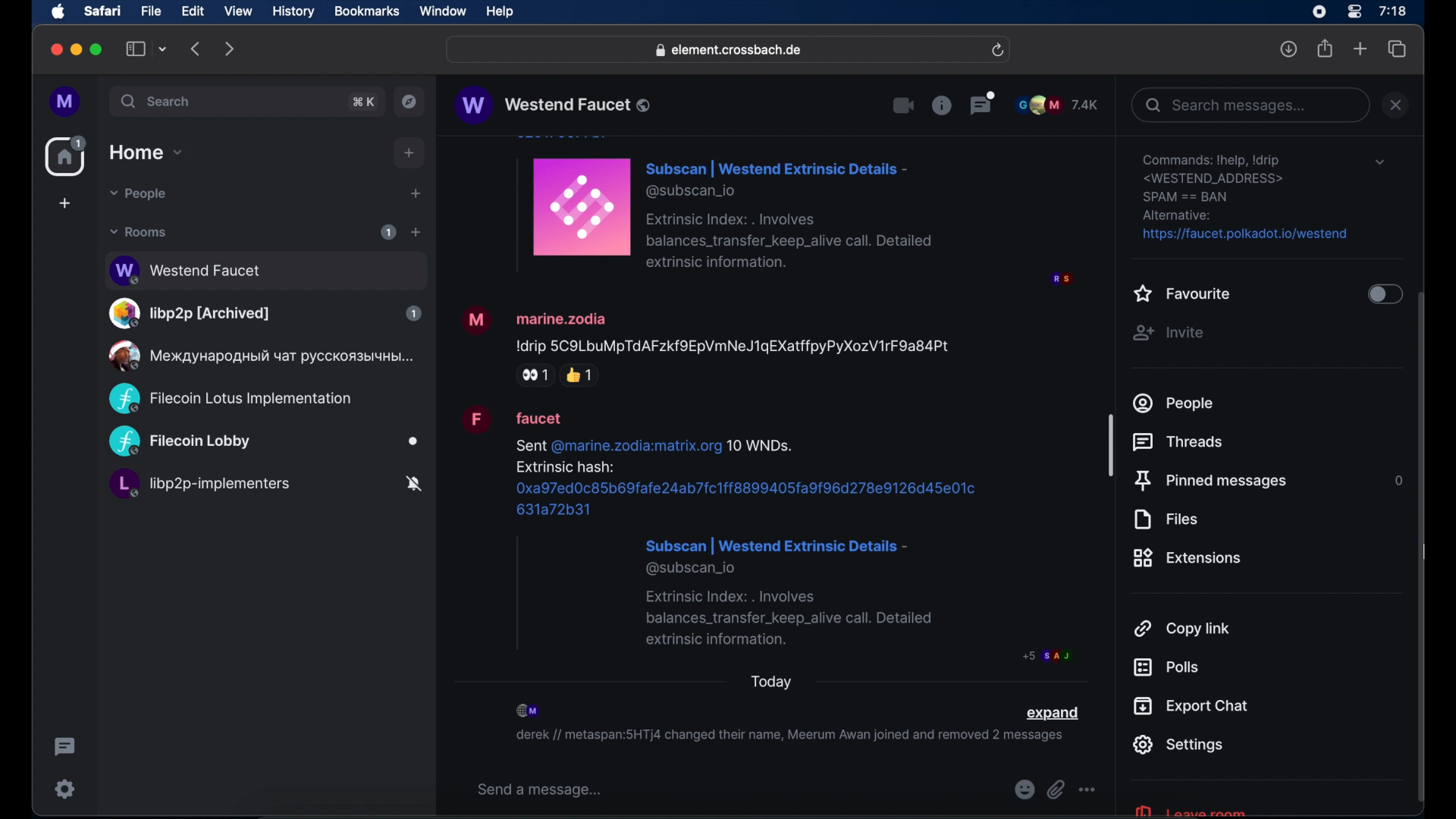  What do you see at coordinates (196, 49) in the screenshot?
I see `backward` at bounding box center [196, 49].